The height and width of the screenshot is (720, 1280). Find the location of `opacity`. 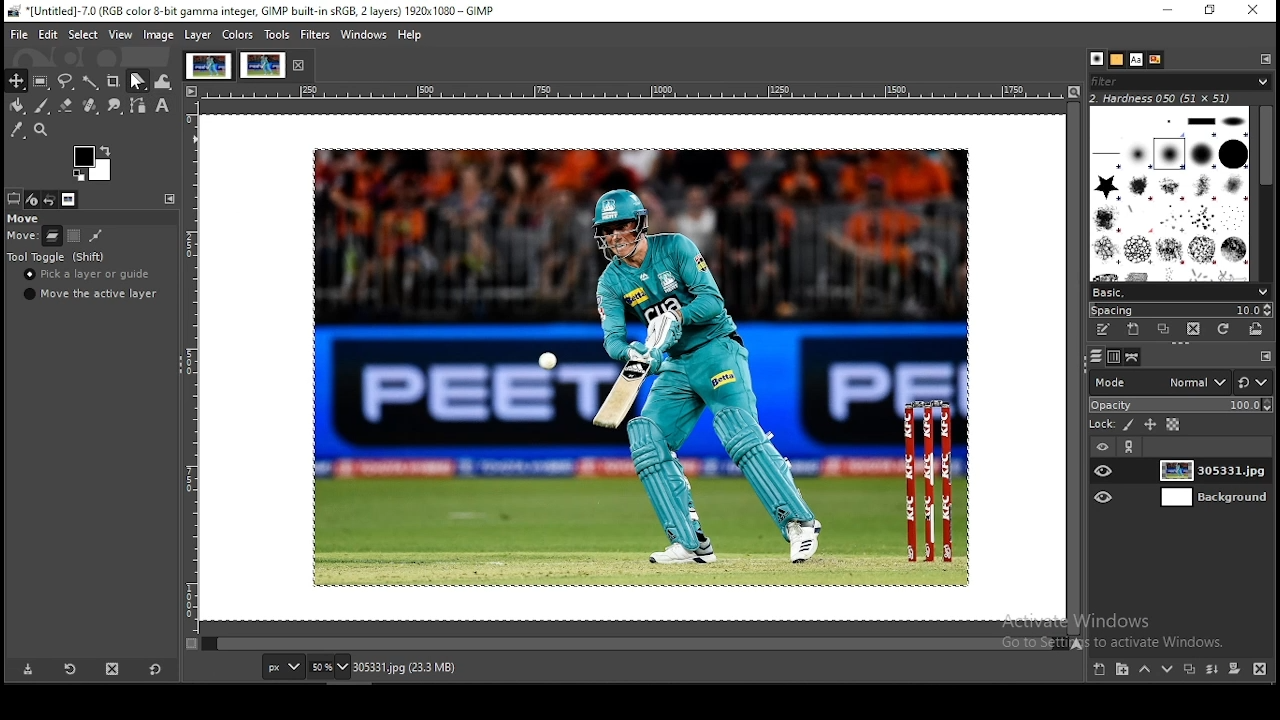

opacity is located at coordinates (1181, 405).